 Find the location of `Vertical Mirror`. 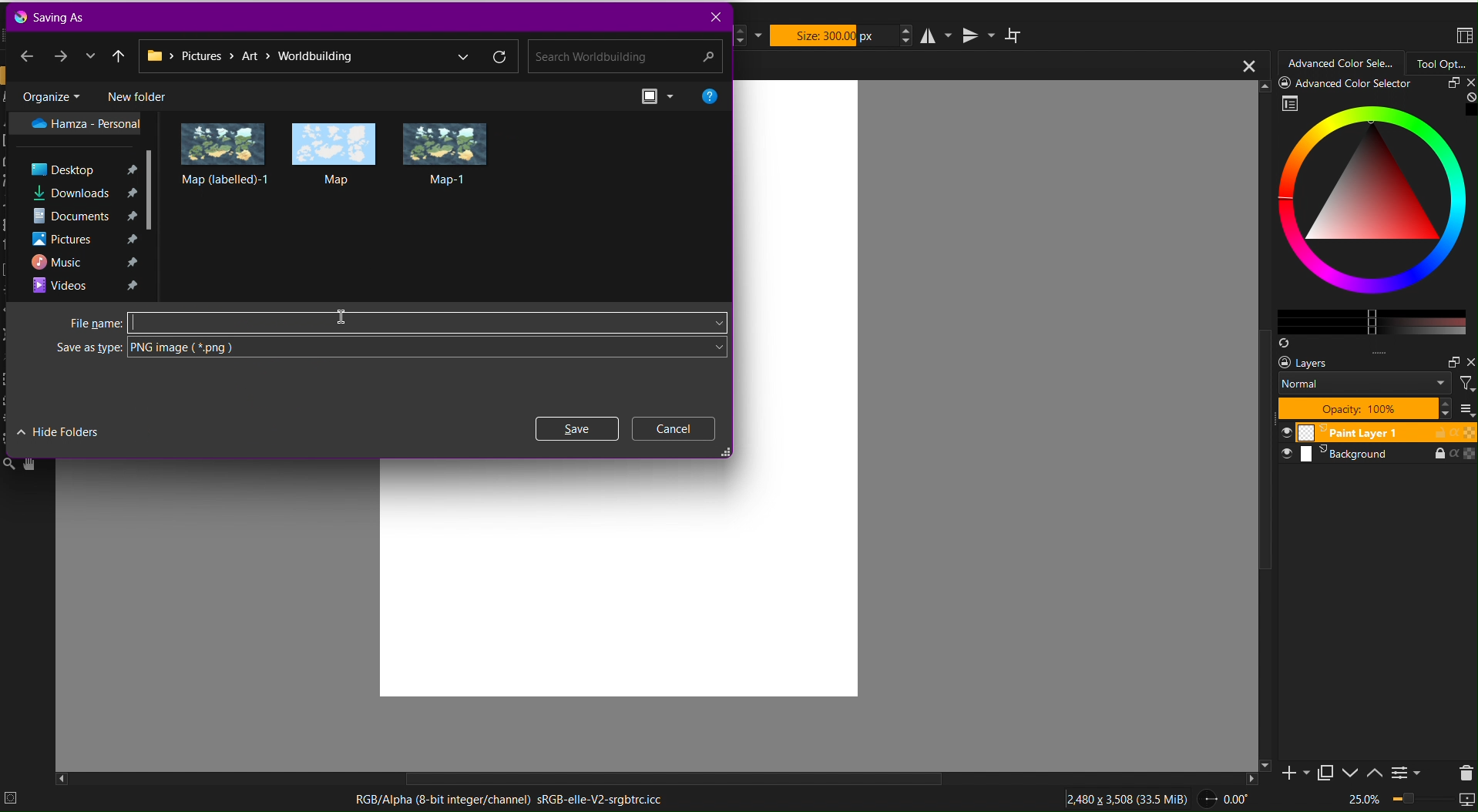

Vertical Mirror is located at coordinates (977, 34).